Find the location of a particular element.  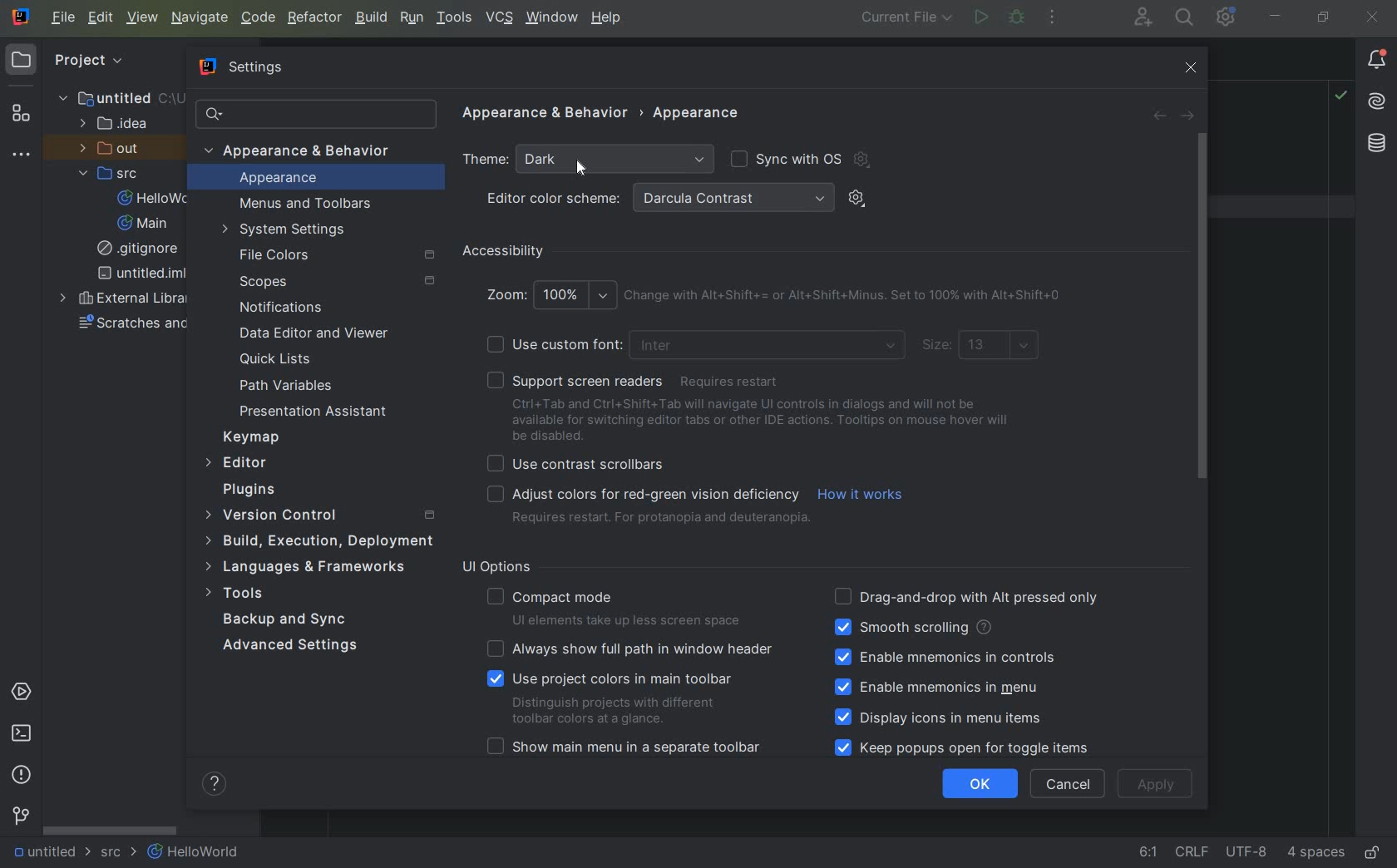

close is located at coordinates (1374, 18).